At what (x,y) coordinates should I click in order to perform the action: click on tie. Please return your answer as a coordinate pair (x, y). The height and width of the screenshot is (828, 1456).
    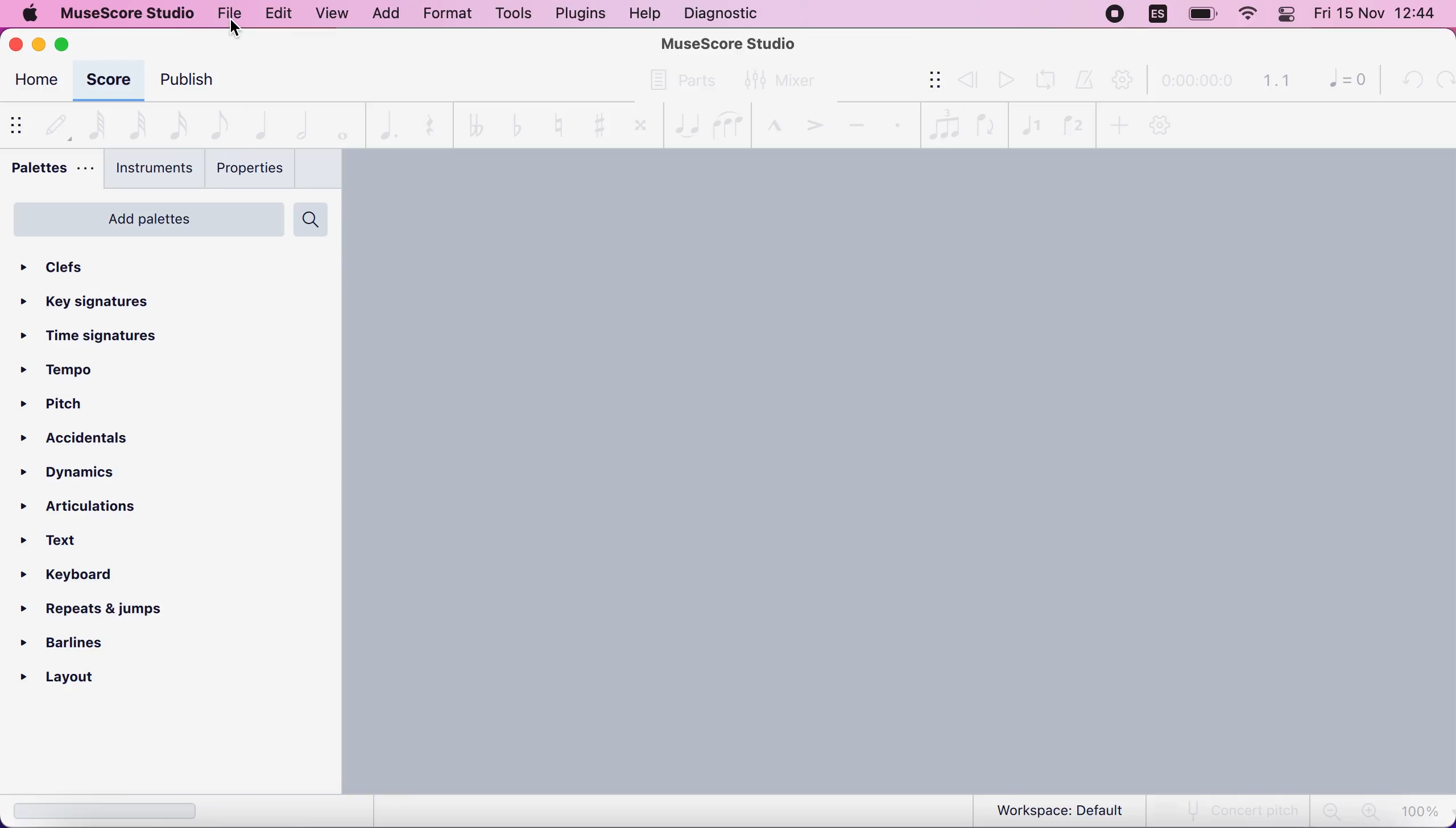
    Looking at the image, I should click on (682, 122).